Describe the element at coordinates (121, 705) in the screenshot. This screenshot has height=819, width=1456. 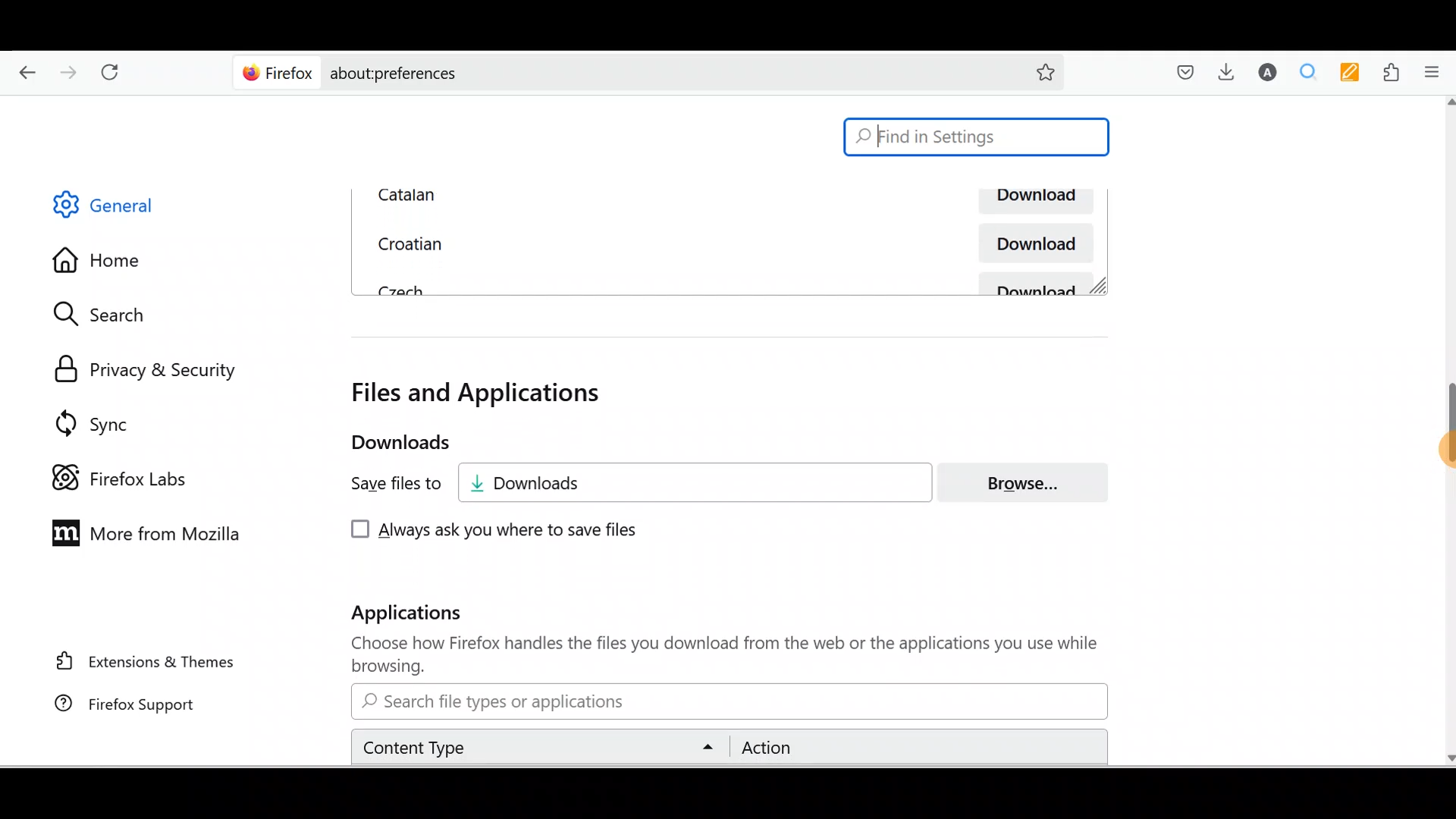
I see `Firefox support` at that location.